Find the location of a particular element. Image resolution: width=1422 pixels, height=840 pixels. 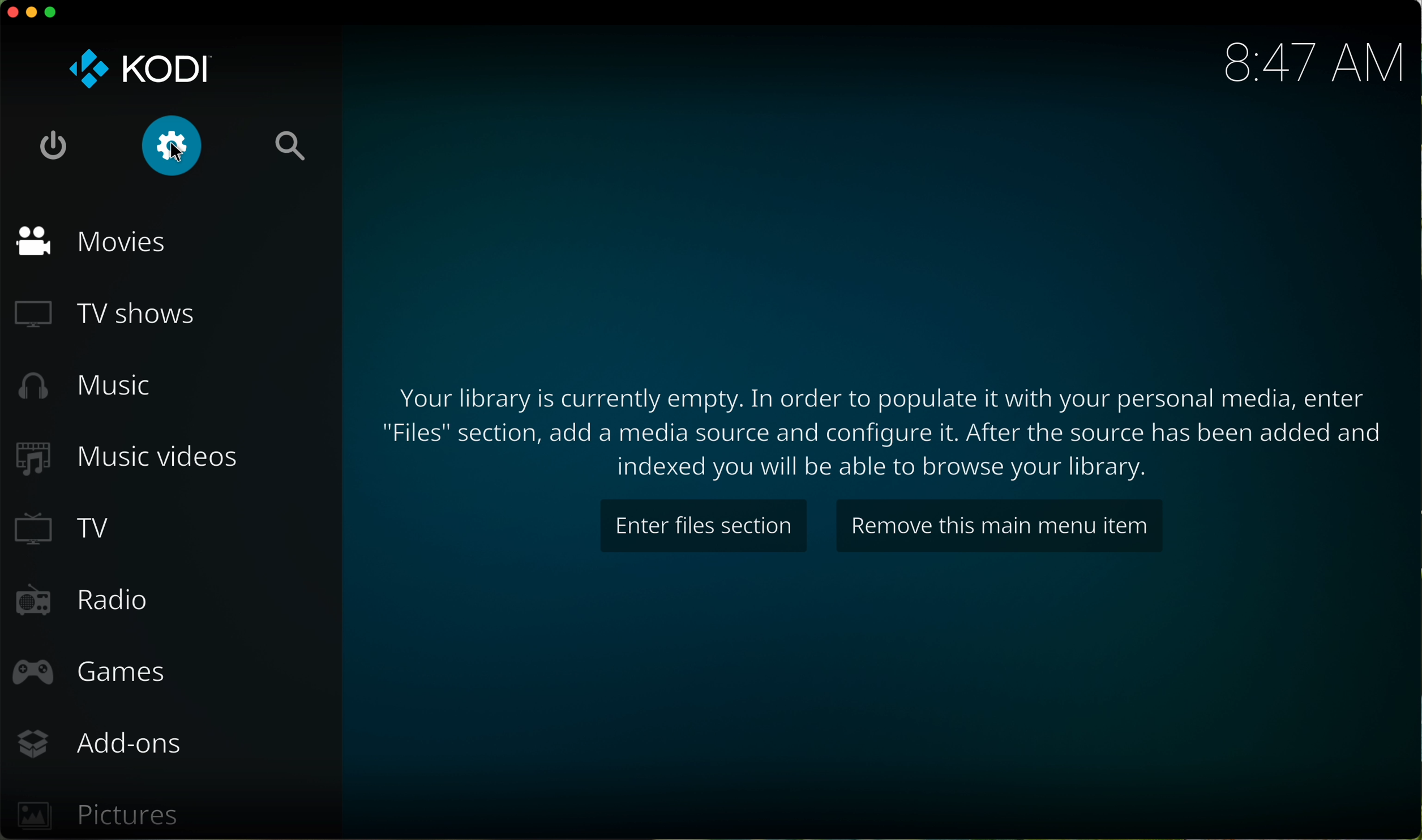

minimize program is located at coordinates (33, 13).